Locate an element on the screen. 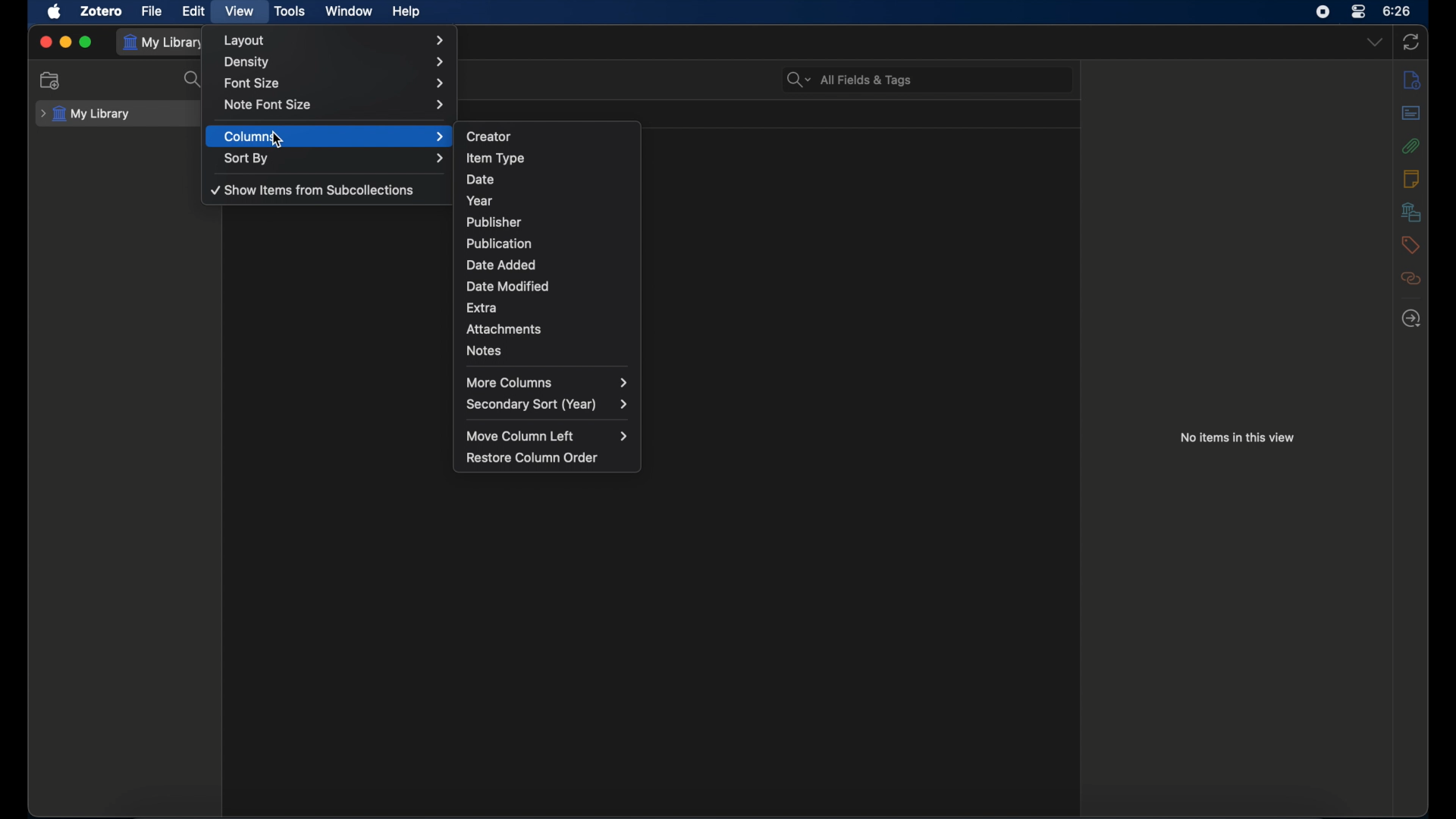 The image size is (1456, 819). dropdown is located at coordinates (1375, 42).